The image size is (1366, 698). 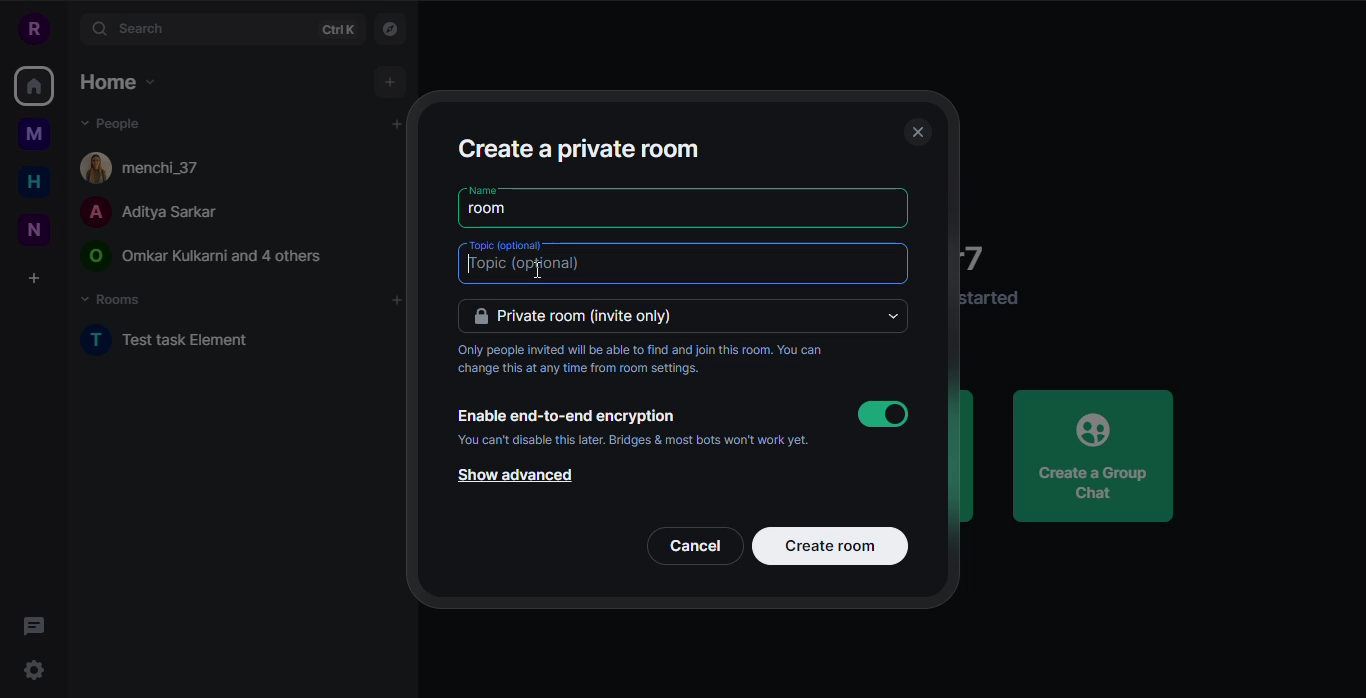 What do you see at coordinates (511, 477) in the screenshot?
I see `show advanced` at bounding box center [511, 477].